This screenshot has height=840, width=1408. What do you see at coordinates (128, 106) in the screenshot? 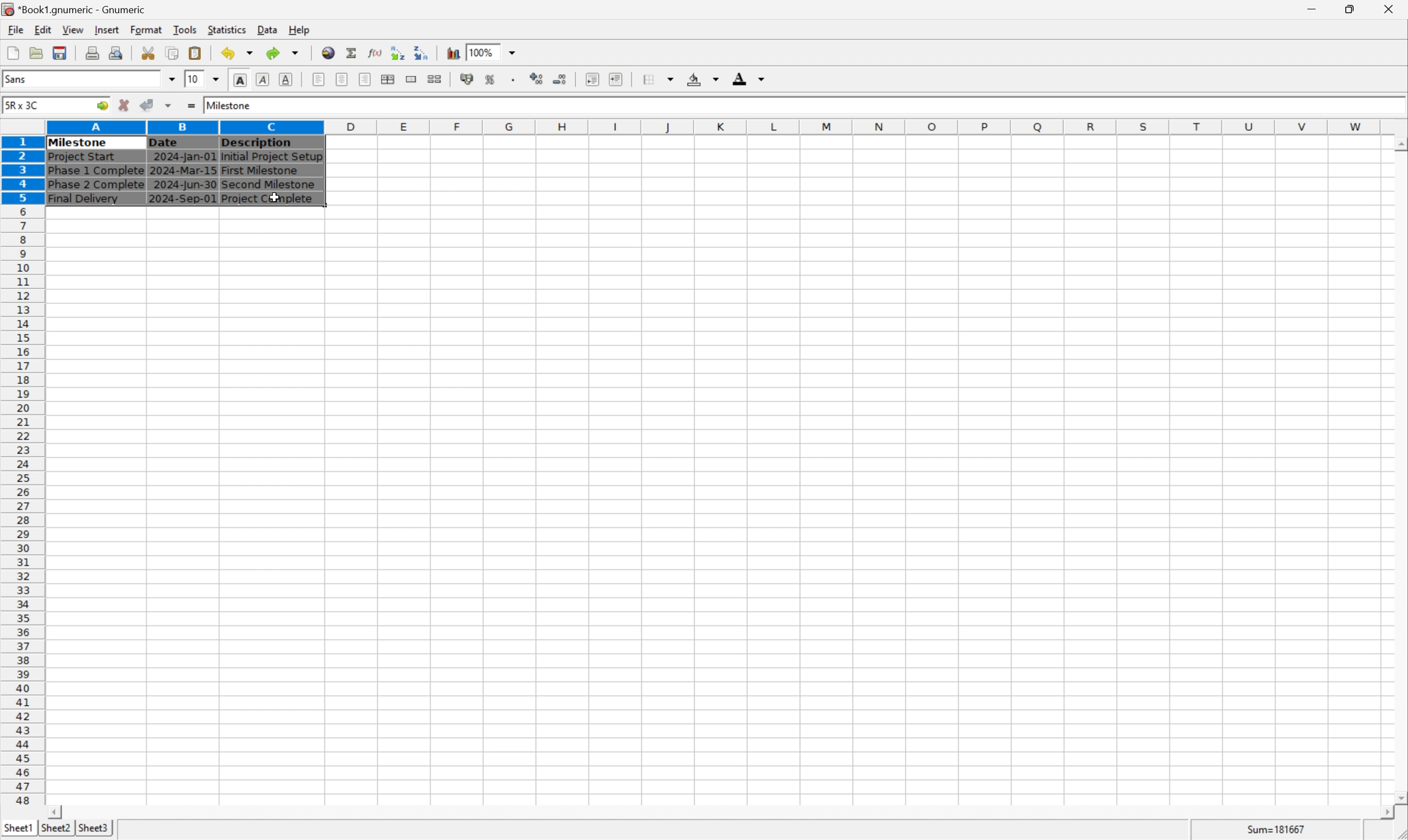
I see `cancel changes` at bounding box center [128, 106].